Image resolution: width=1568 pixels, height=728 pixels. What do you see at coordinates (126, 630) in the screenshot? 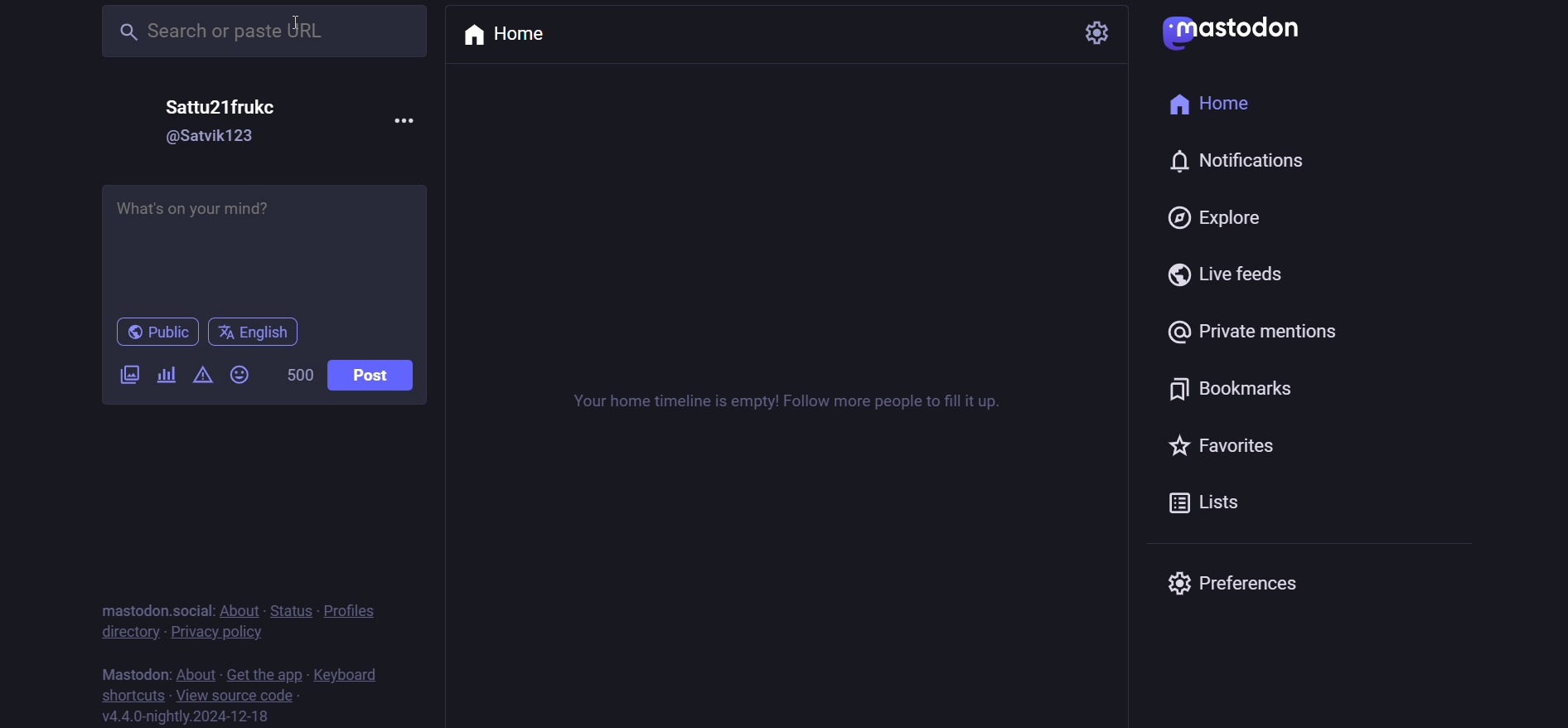
I see `directory` at bounding box center [126, 630].